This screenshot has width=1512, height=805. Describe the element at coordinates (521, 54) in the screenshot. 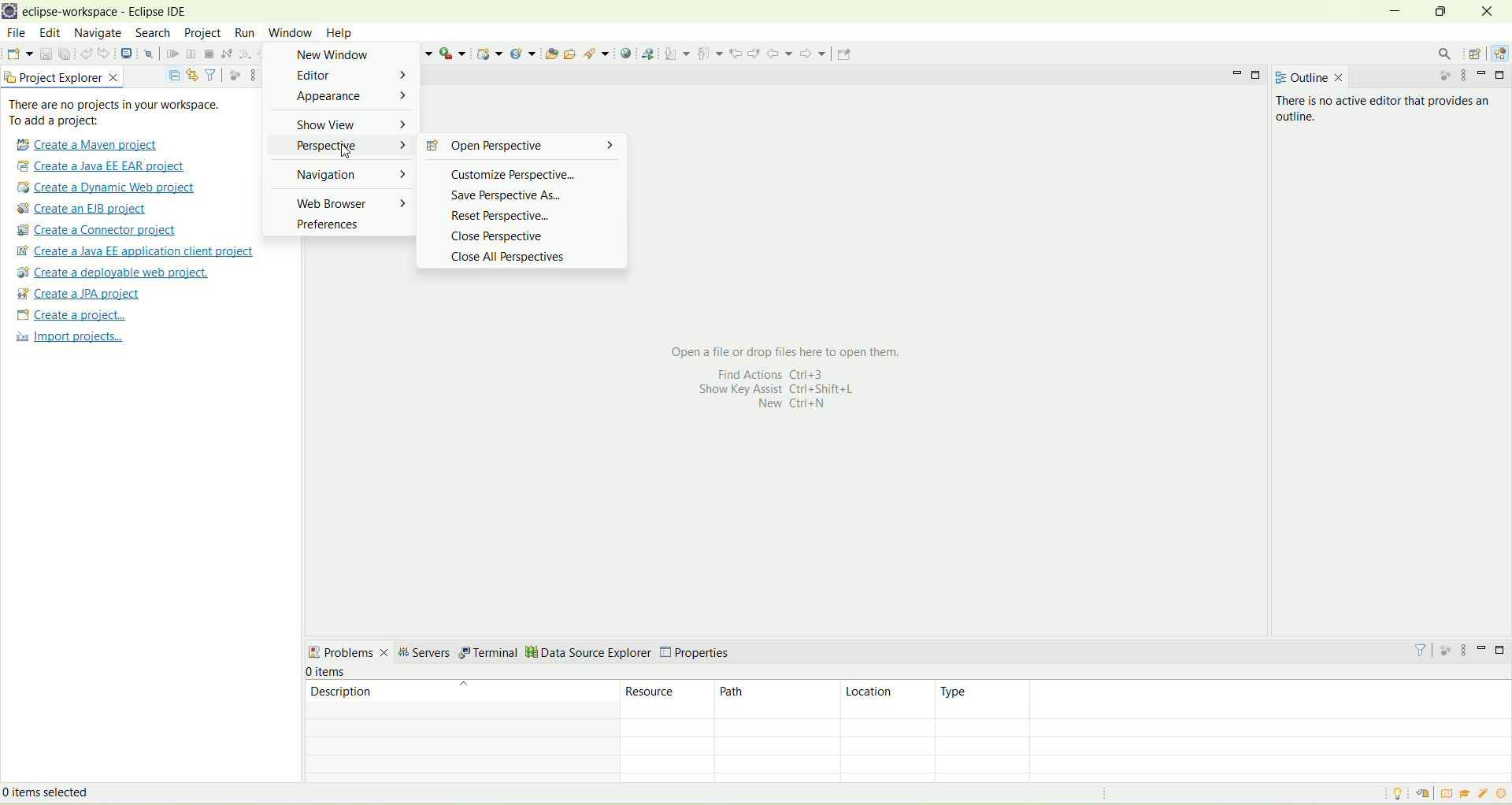

I see `create a new java servlet` at that location.